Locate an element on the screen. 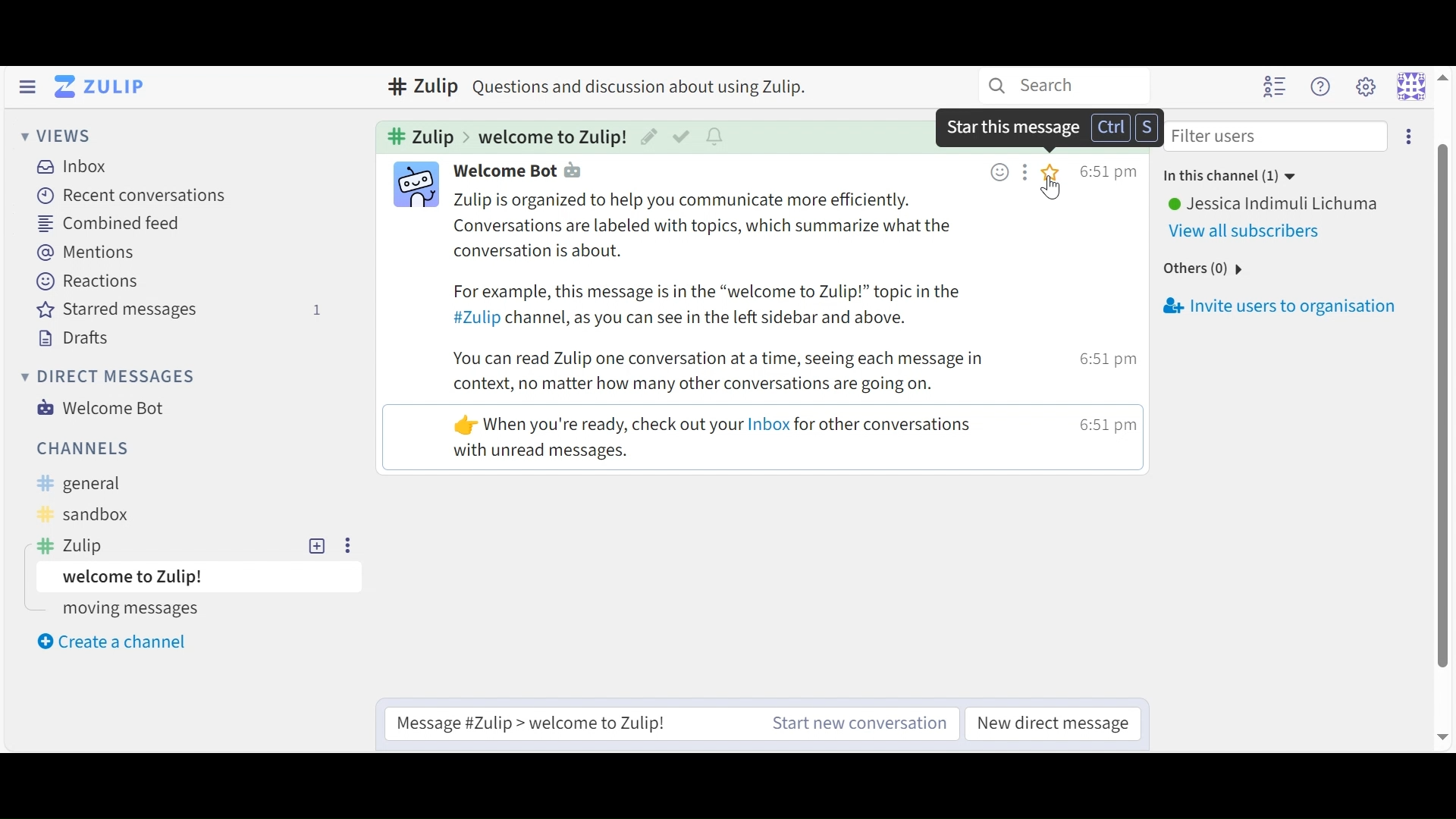 The image size is (1456, 819). New Channel message is located at coordinates (859, 723).